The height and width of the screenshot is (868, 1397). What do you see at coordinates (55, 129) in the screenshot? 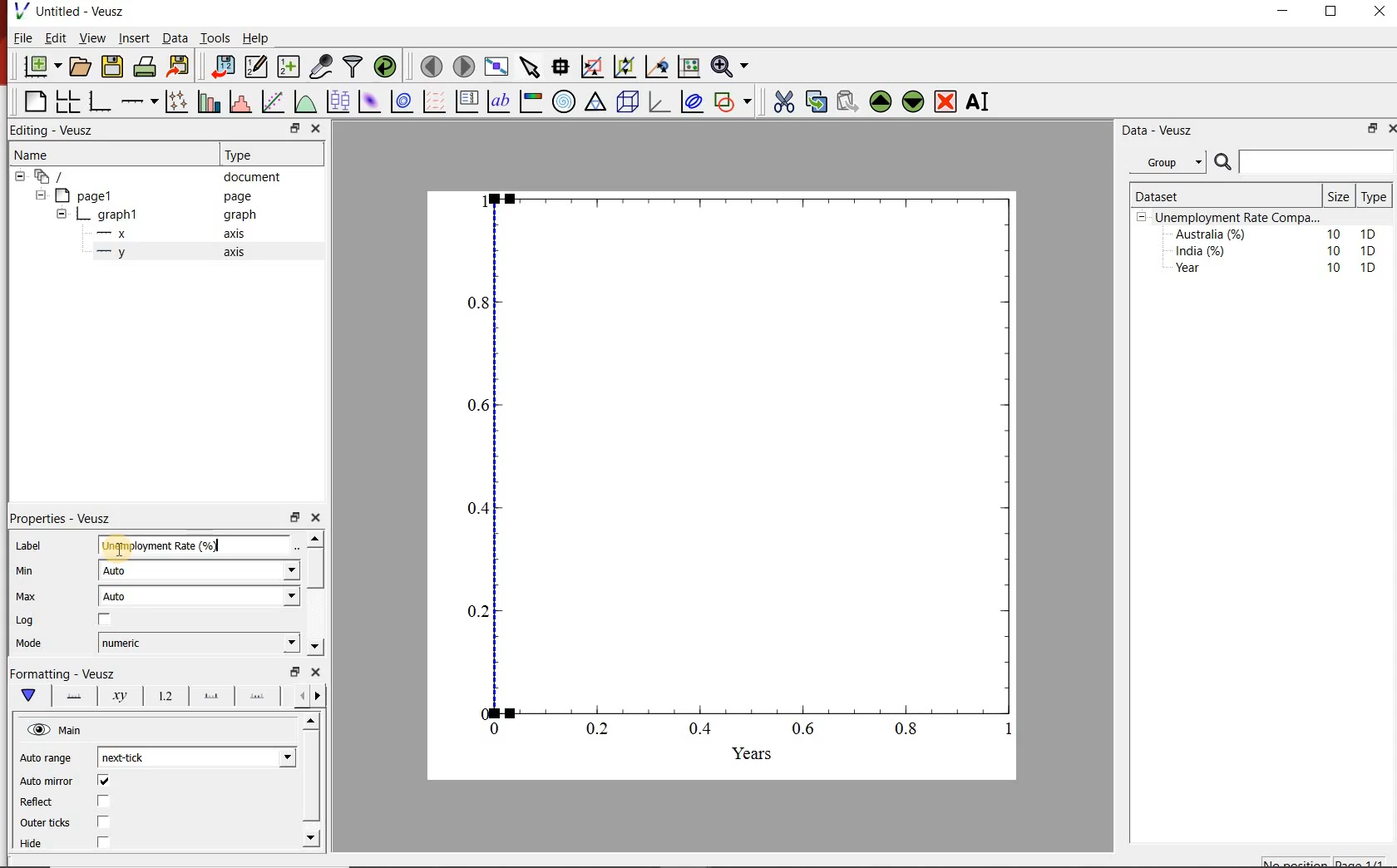
I see `Editing - Veusz` at bounding box center [55, 129].